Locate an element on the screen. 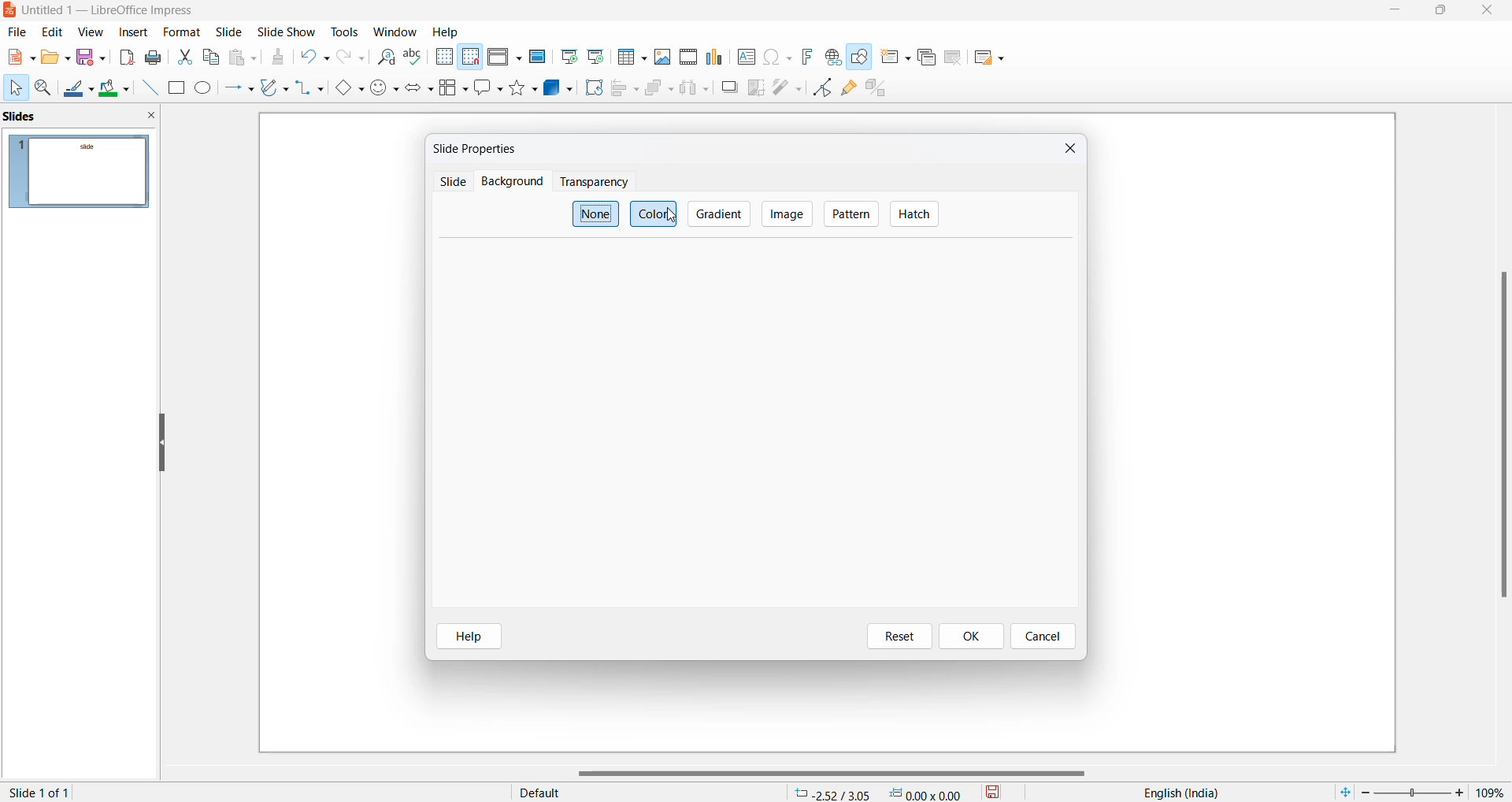 This screenshot has width=1512, height=802. show glue point function is located at coordinates (850, 91).